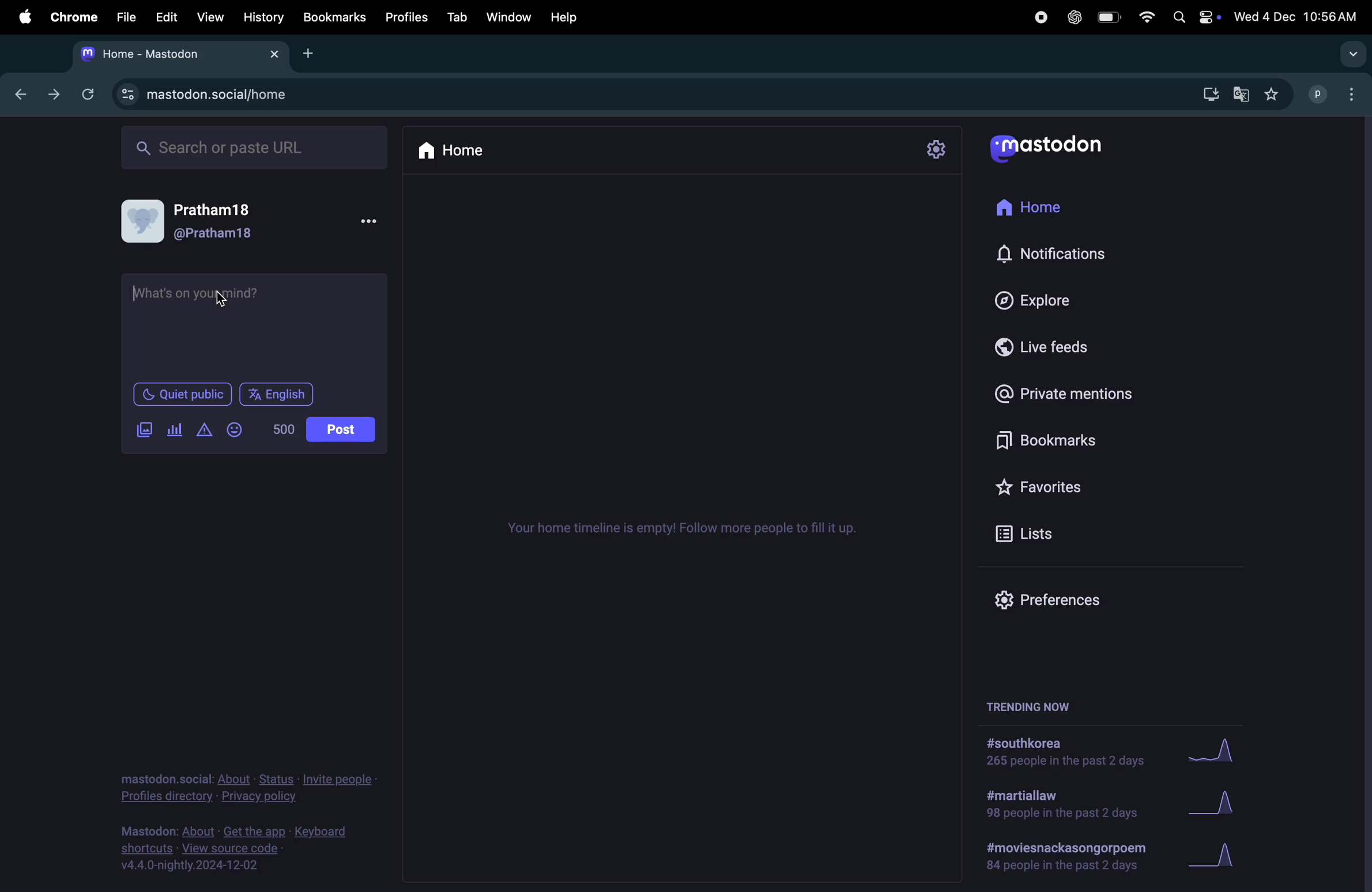 This screenshot has height=892, width=1372. I want to click on Profiles, so click(406, 16).